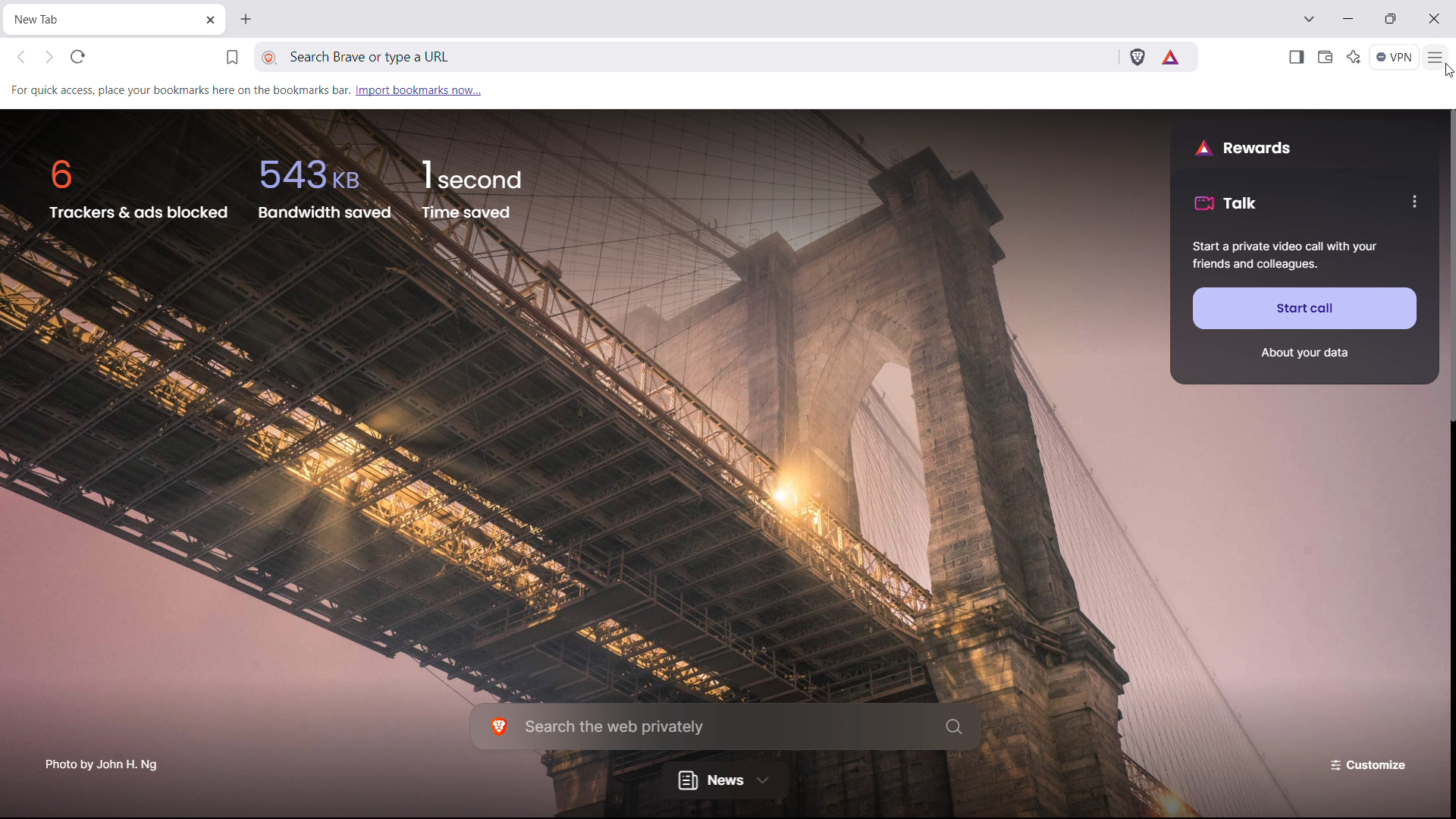 The image size is (1456, 819). What do you see at coordinates (1324, 57) in the screenshot?
I see `wallet` at bounding box center [1324, 57].